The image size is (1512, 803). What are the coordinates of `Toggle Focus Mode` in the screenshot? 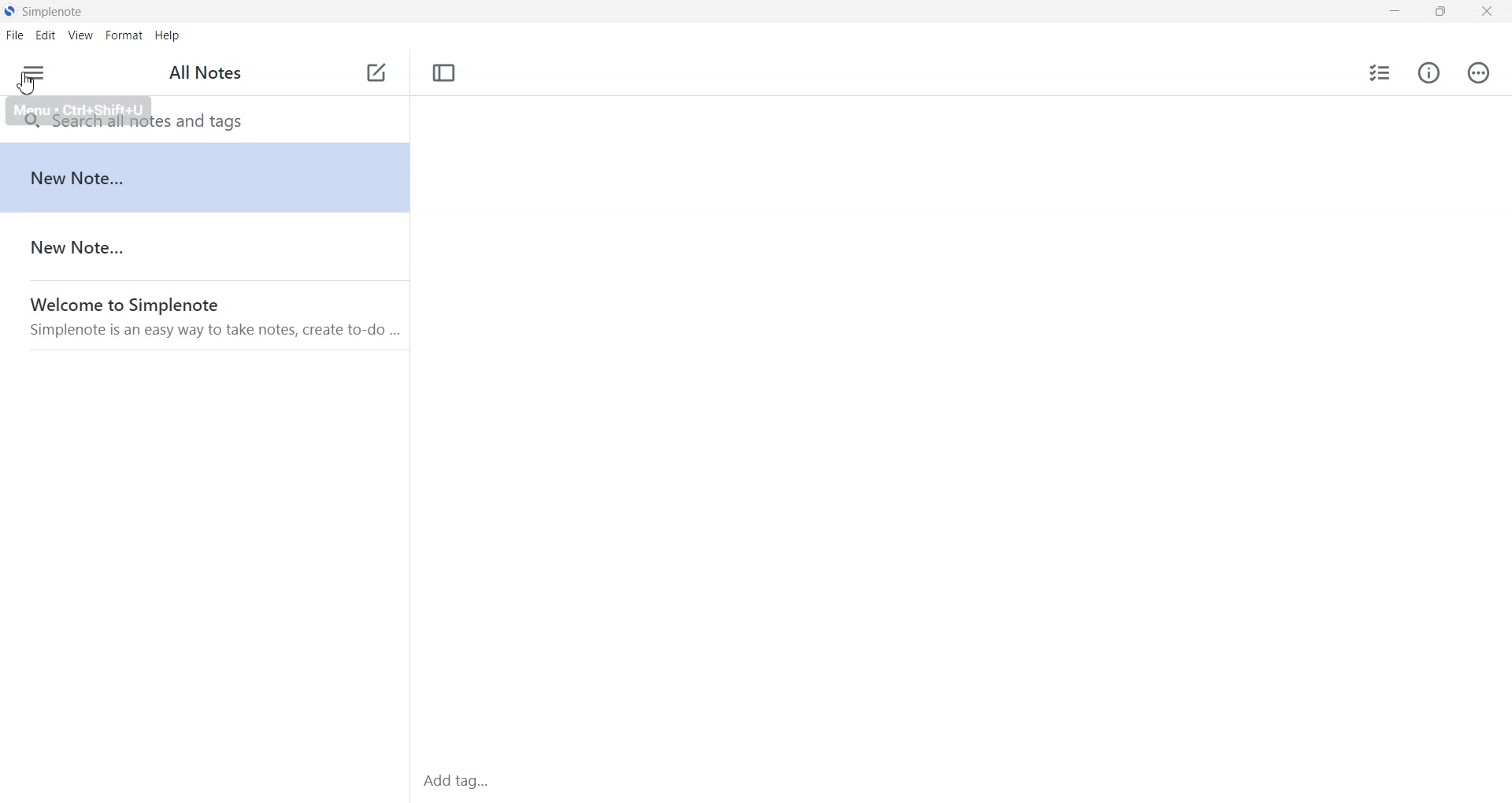 It's located at (443, 74).